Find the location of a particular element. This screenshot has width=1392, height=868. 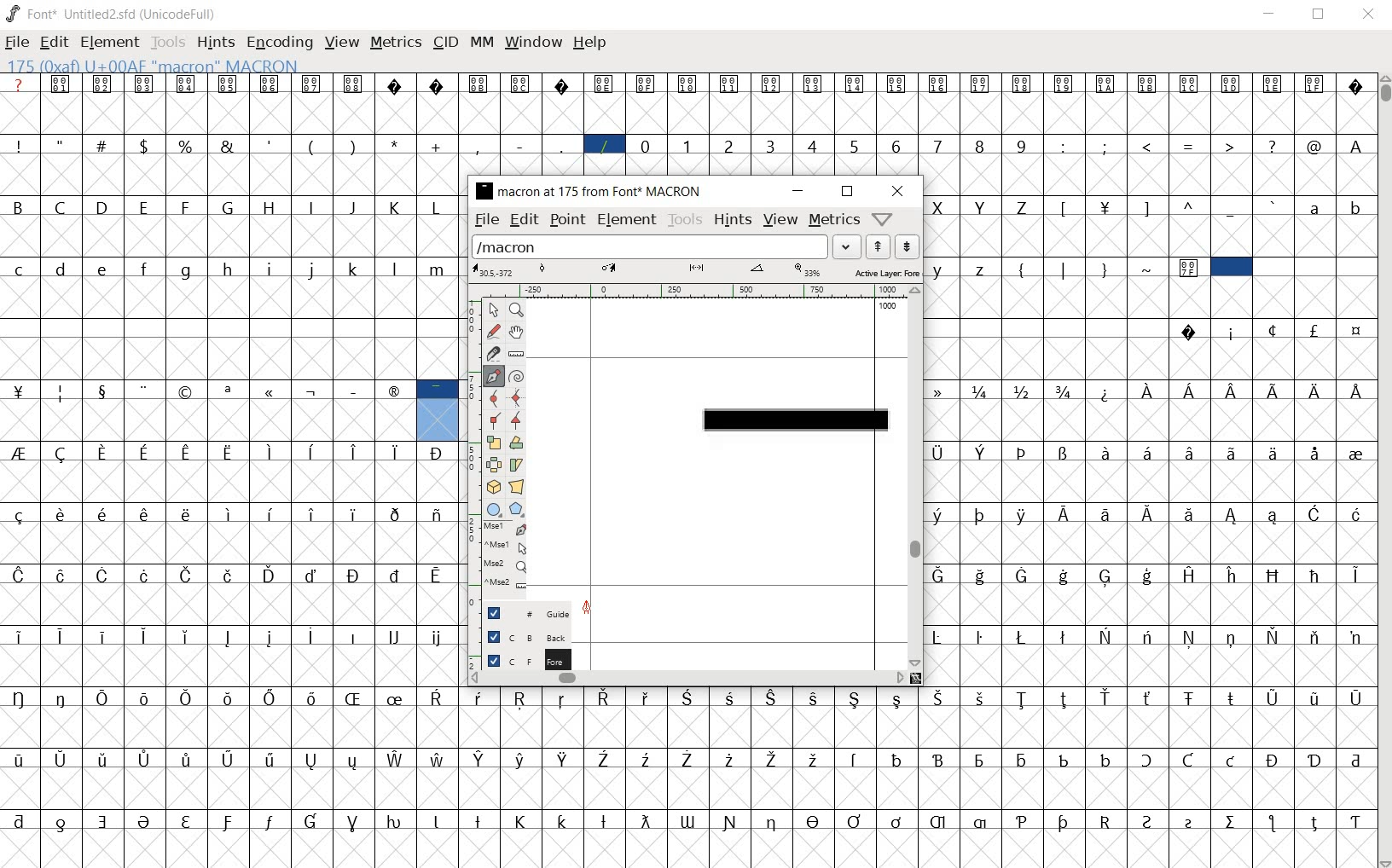

B is located at coordinates (20, 205).